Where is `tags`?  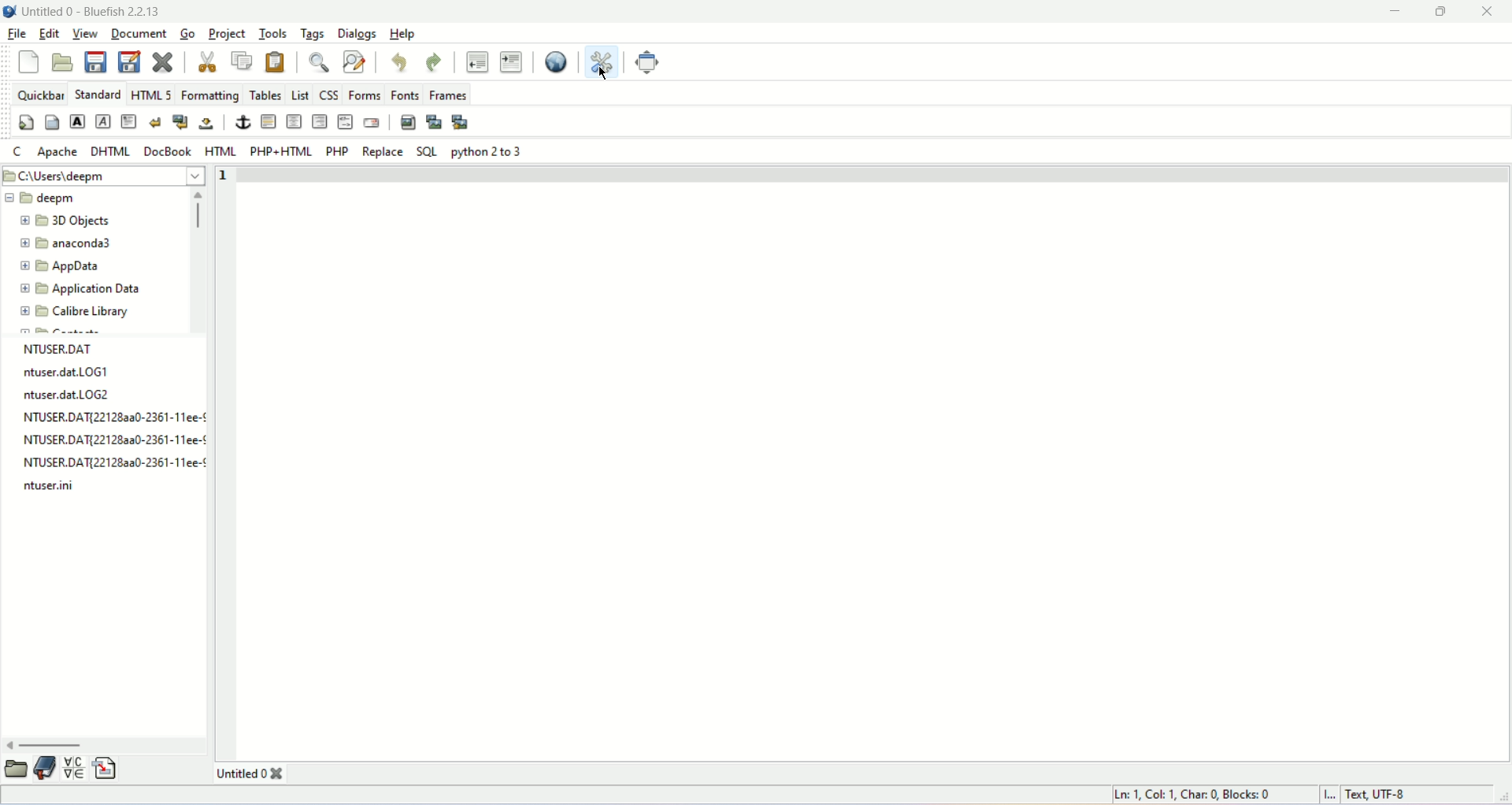 tags is located at coordinates (313, 33).